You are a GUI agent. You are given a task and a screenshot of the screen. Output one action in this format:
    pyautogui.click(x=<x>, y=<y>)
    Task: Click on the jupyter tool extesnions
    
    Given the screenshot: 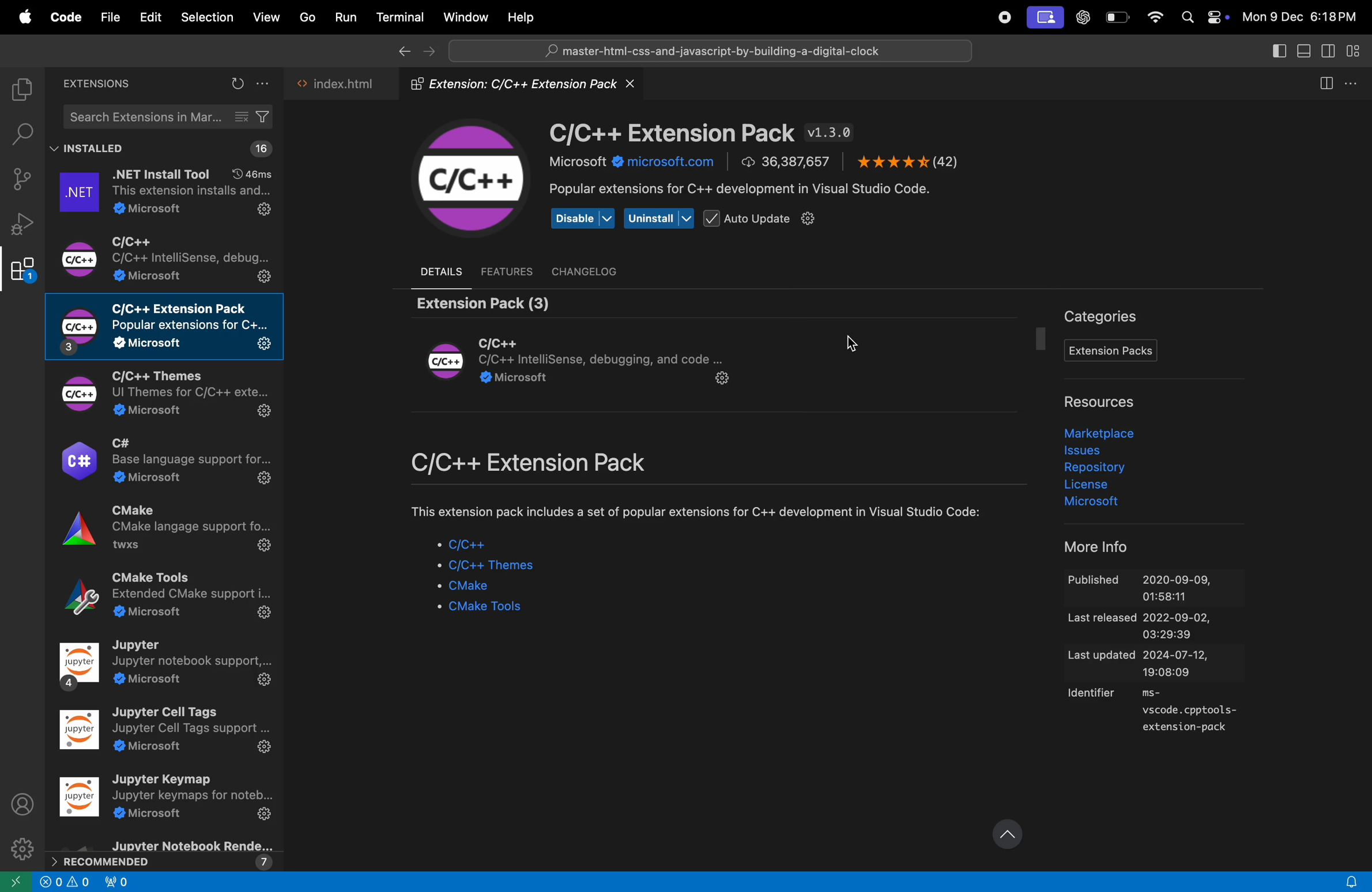 What is the action you would take?
    pyautogui.click(x=167, y=734)
    